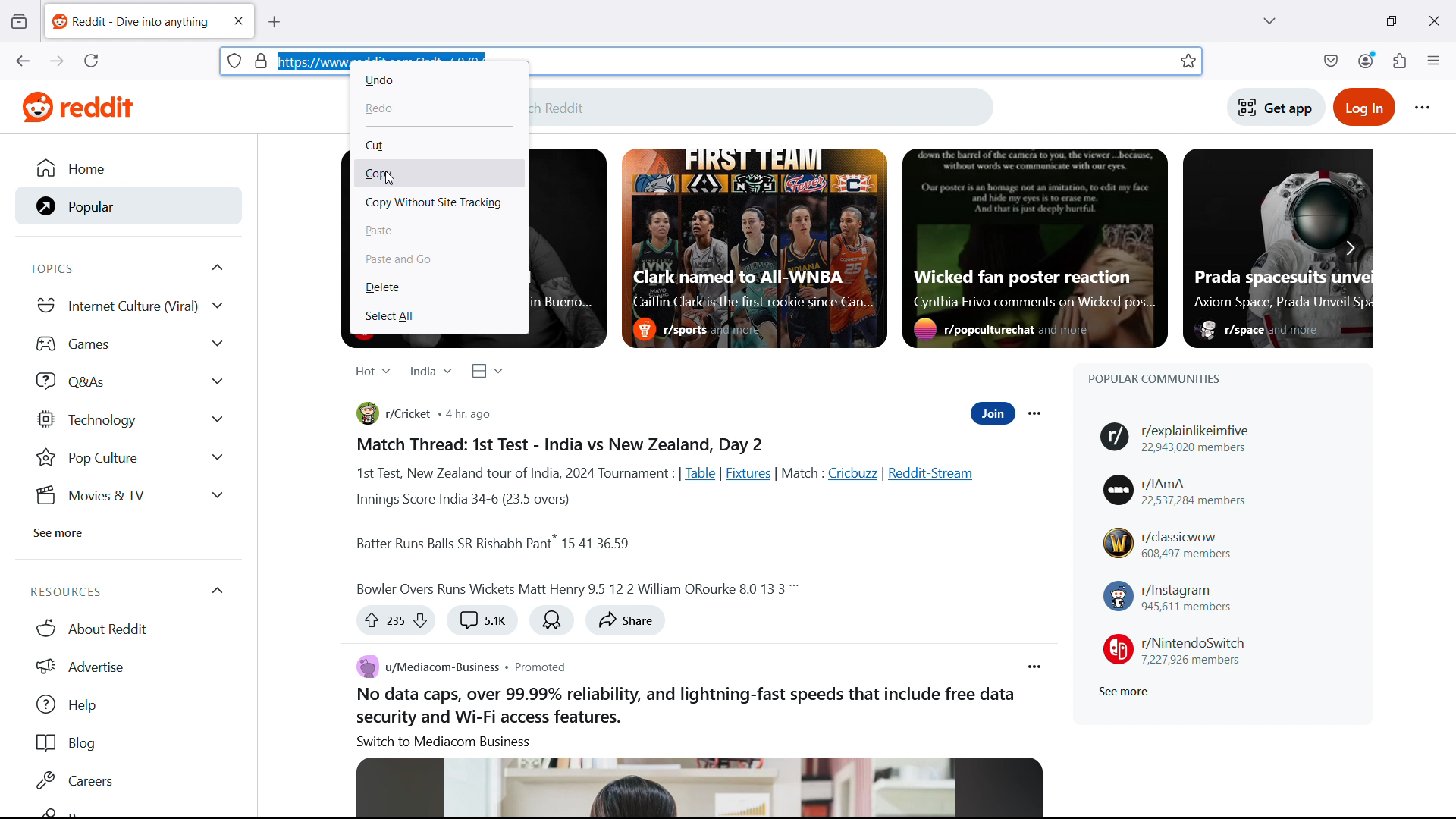 This screenshot has height=819, width=1456. I want to click on Up vote or down vote, so click(395, 622).